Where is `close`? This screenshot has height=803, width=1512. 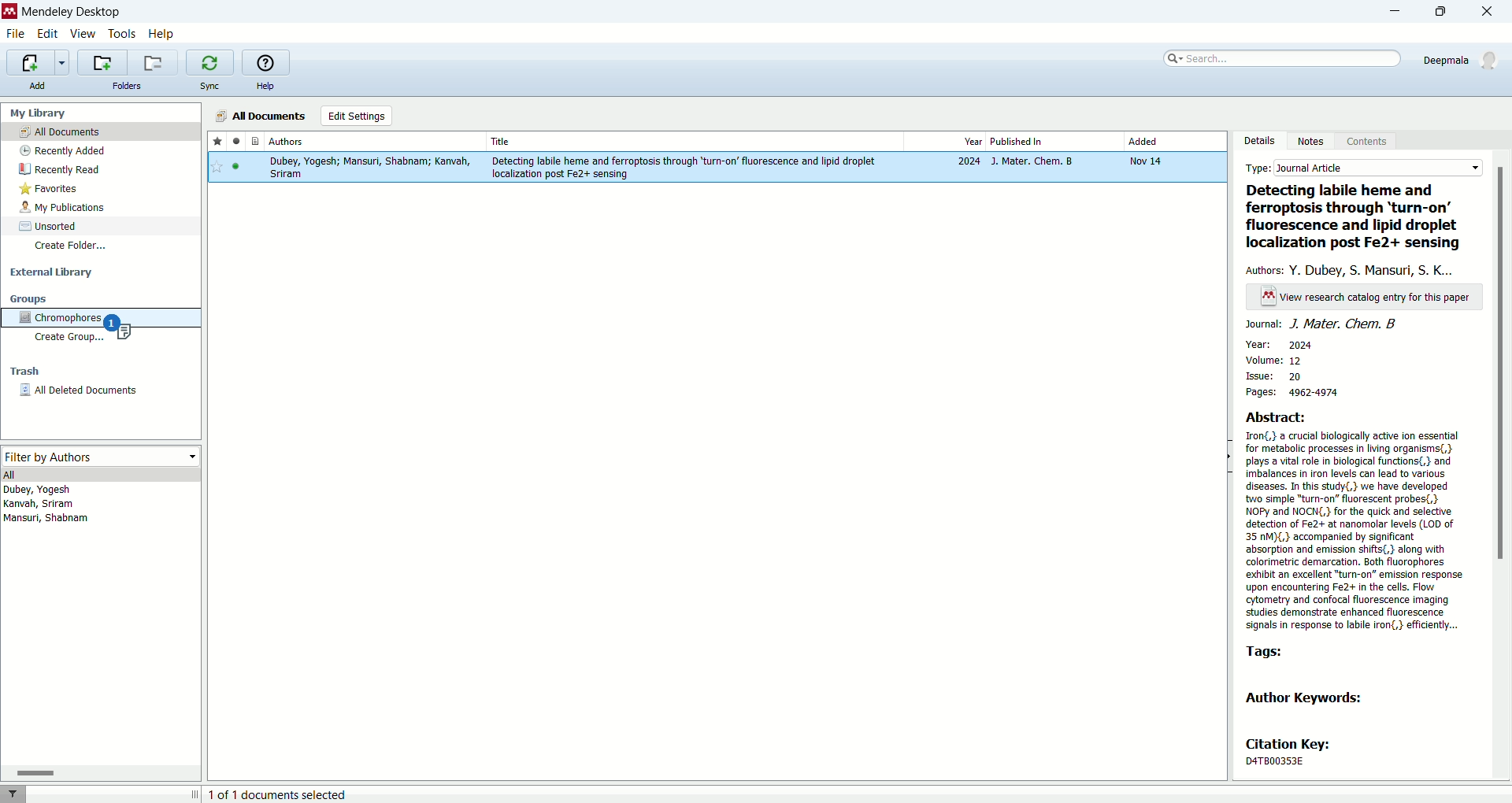
close is located at coordinates (1491, 11).